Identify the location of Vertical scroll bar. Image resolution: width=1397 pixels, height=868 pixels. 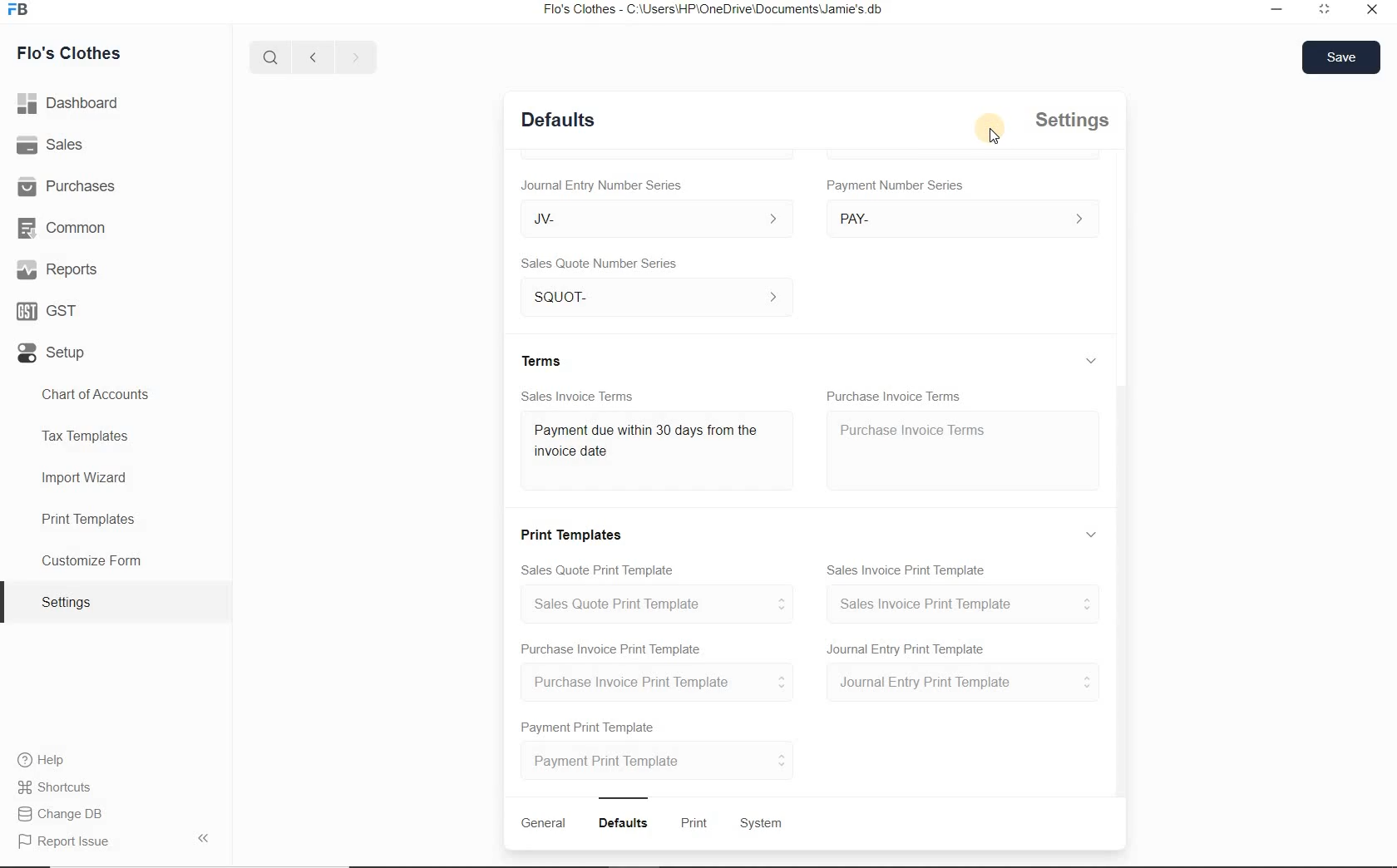
(1118, 591).